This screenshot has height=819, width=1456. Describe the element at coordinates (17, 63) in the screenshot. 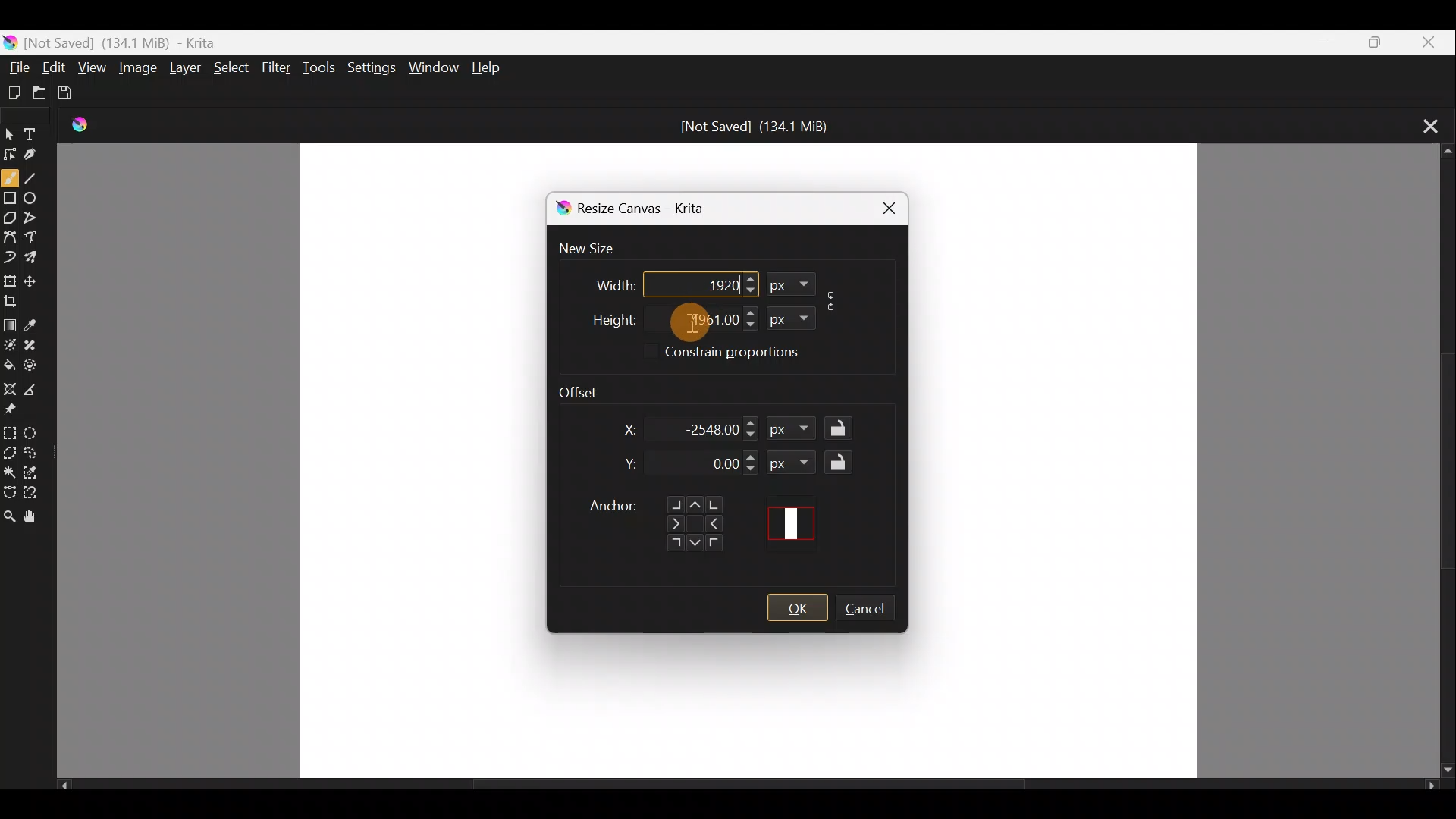

I see `File` at that location.